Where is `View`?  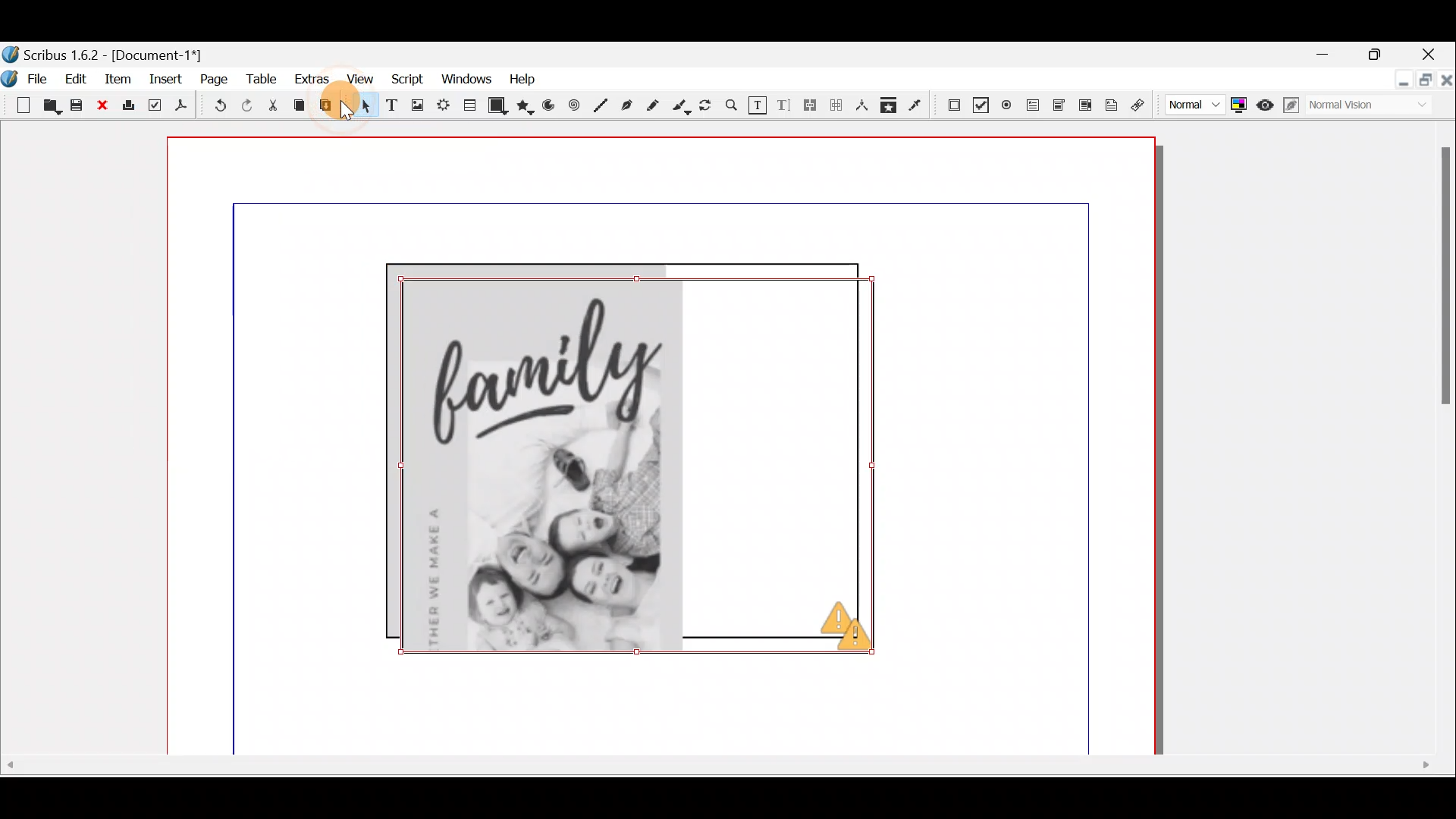 View is located at coordinates (362, 78).